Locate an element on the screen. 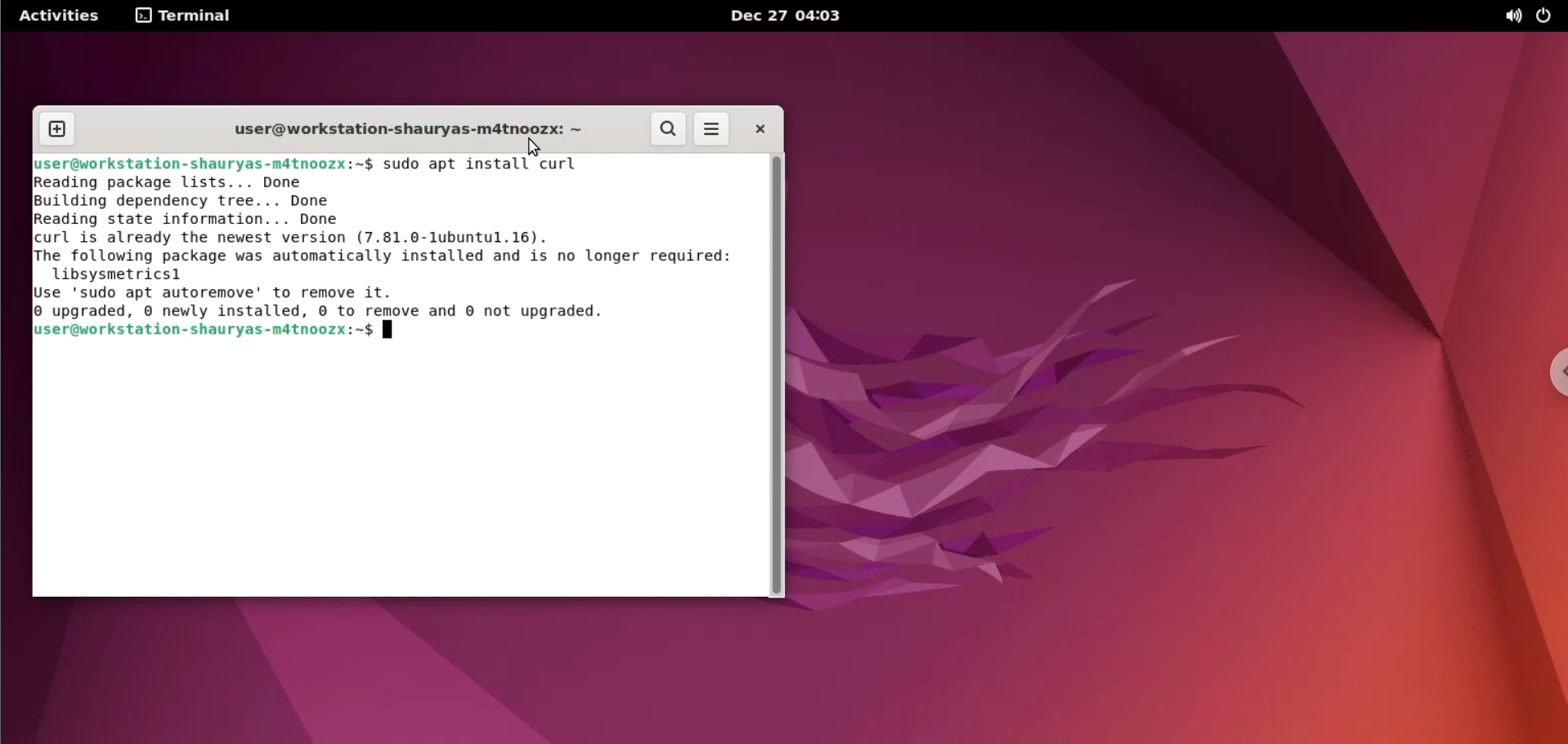  search is located at coordinates (669, 130).